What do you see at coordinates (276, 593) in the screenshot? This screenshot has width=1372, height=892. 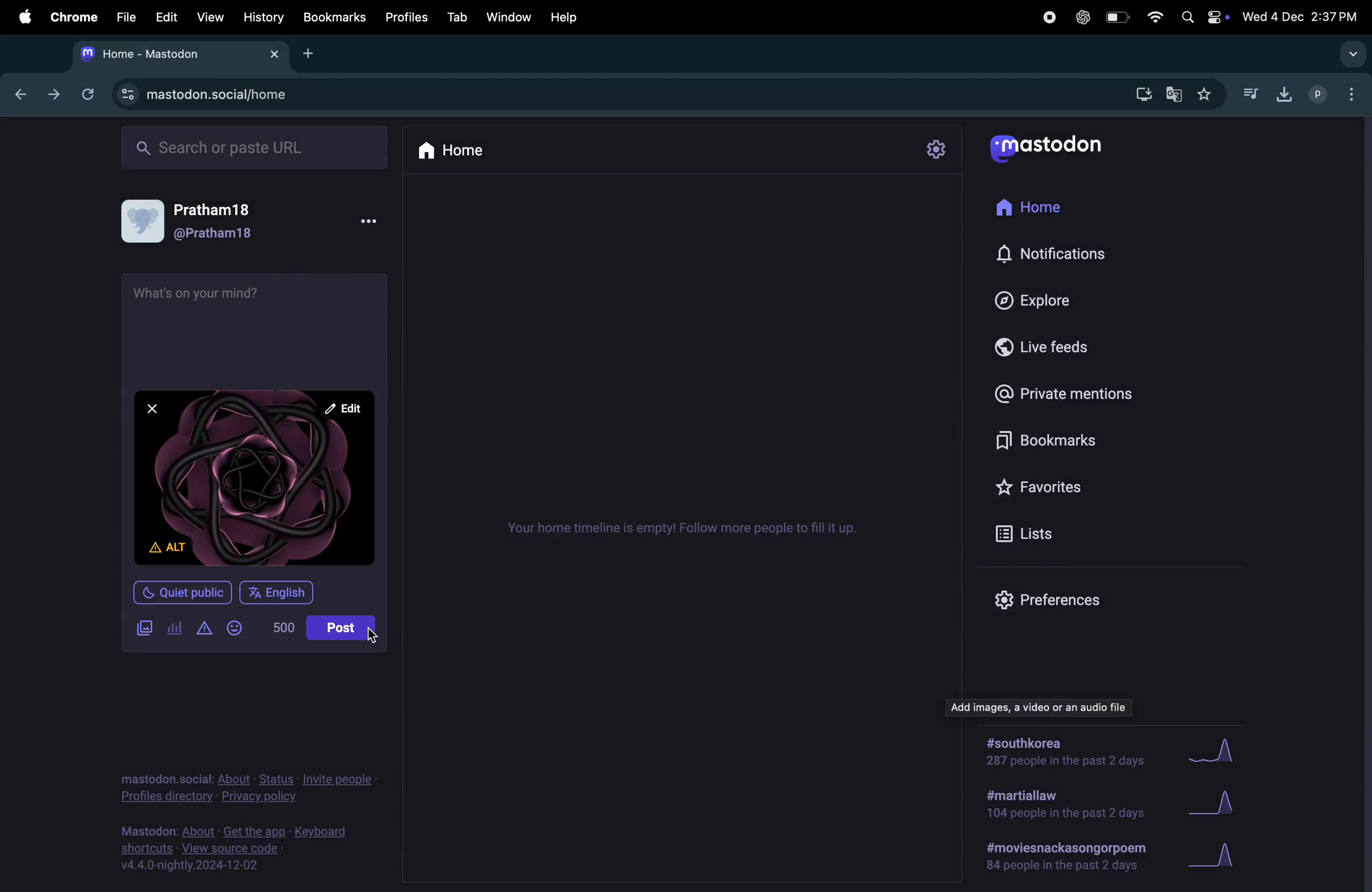 I see `English` at bounding box center [276, 593].